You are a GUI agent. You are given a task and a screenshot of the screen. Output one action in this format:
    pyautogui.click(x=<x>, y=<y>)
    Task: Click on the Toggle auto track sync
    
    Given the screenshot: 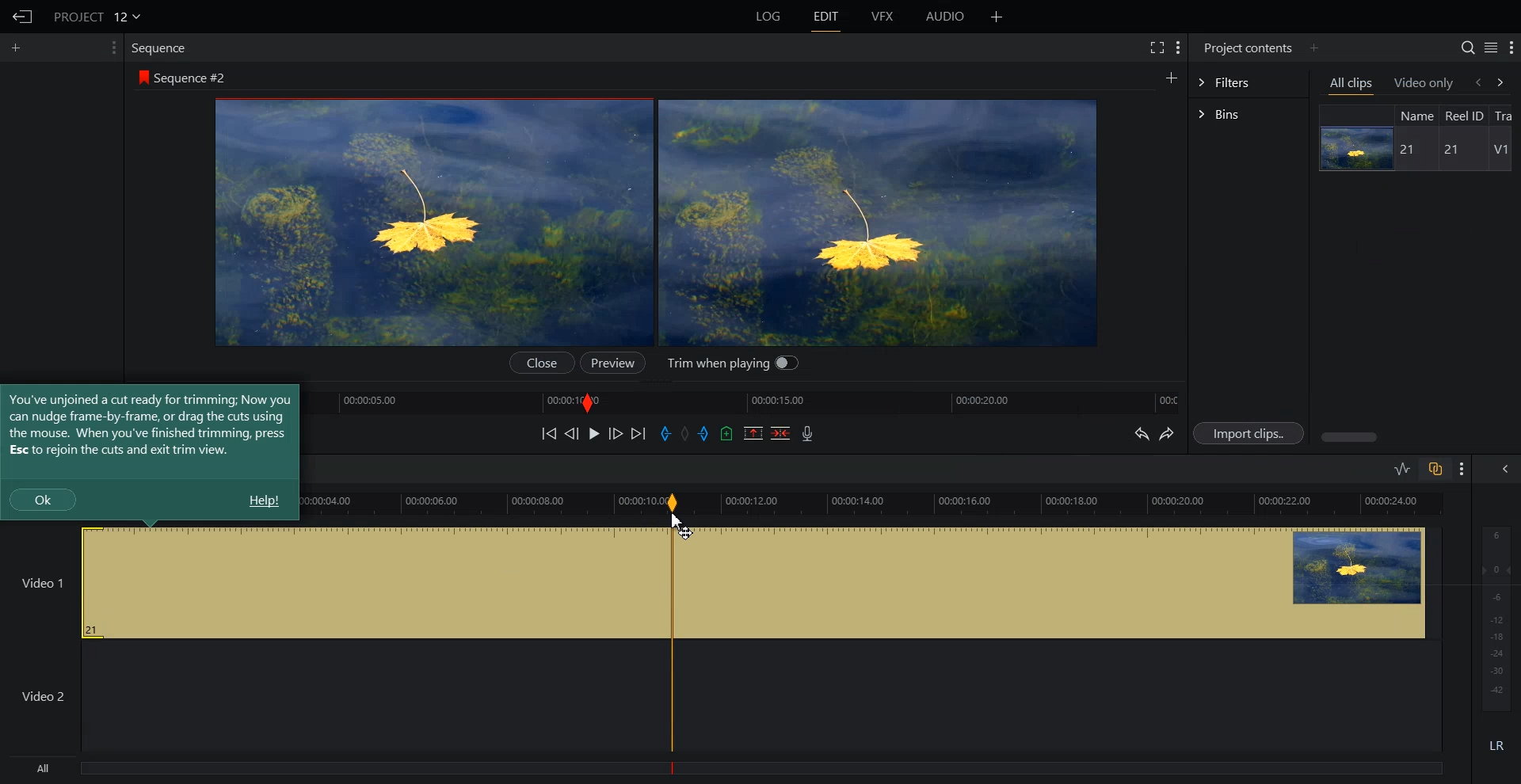 What is the action you would take?
    pyautogui.click(x=1435, y=468)
    